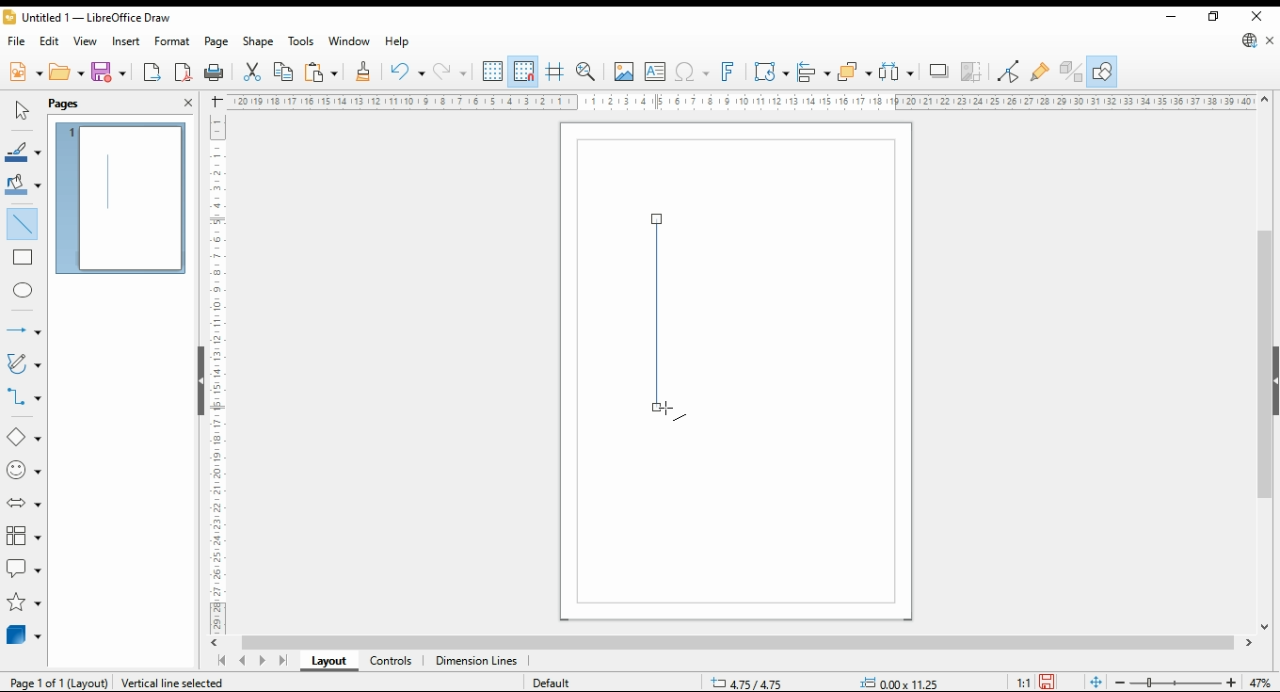  I want to click on 1:1 ratio, so click(1036, 680).